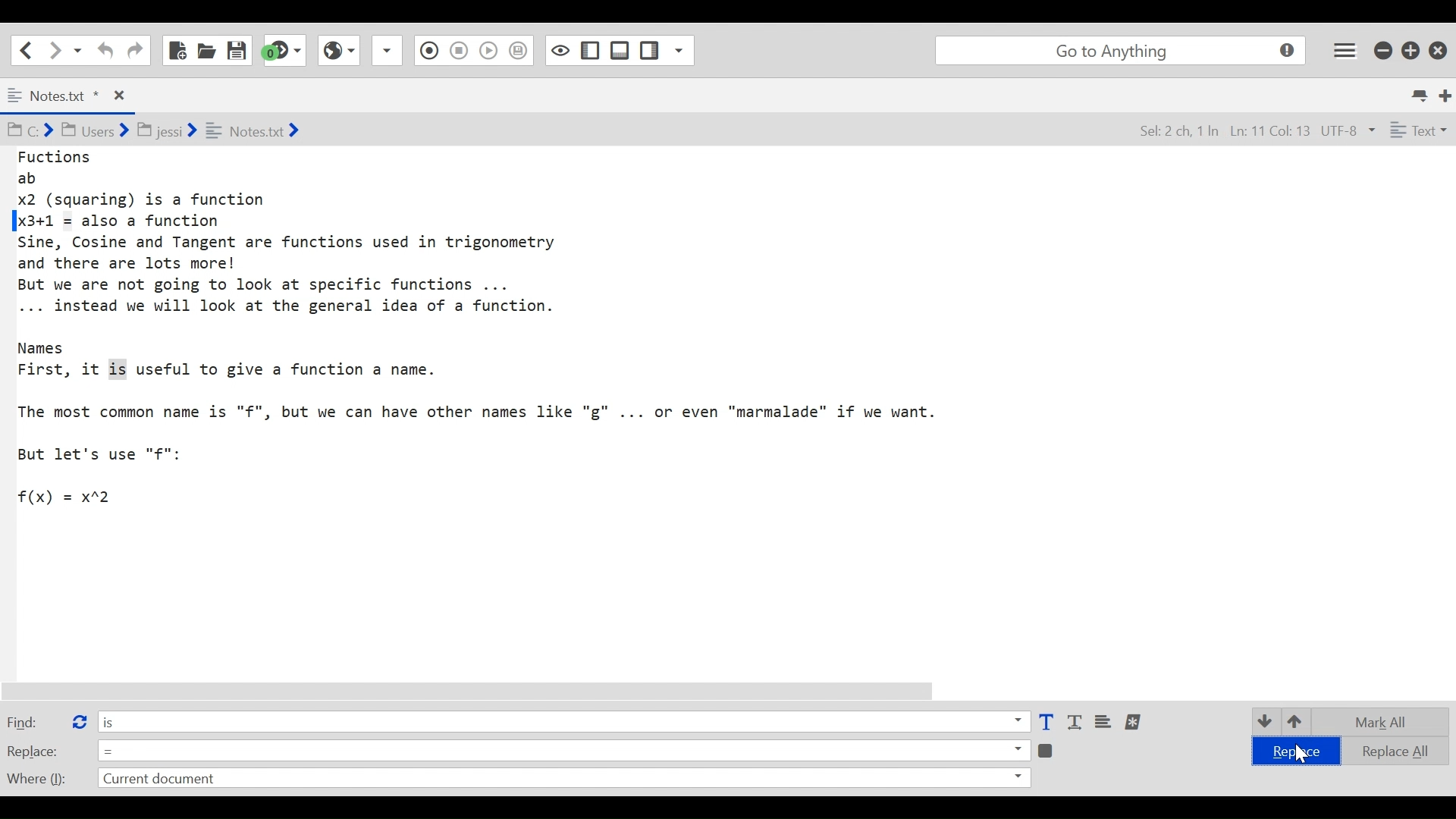  I want to click on Cd BY Users ¥ BJ jessi ¥ = Notesixt &, so click(185, 132).